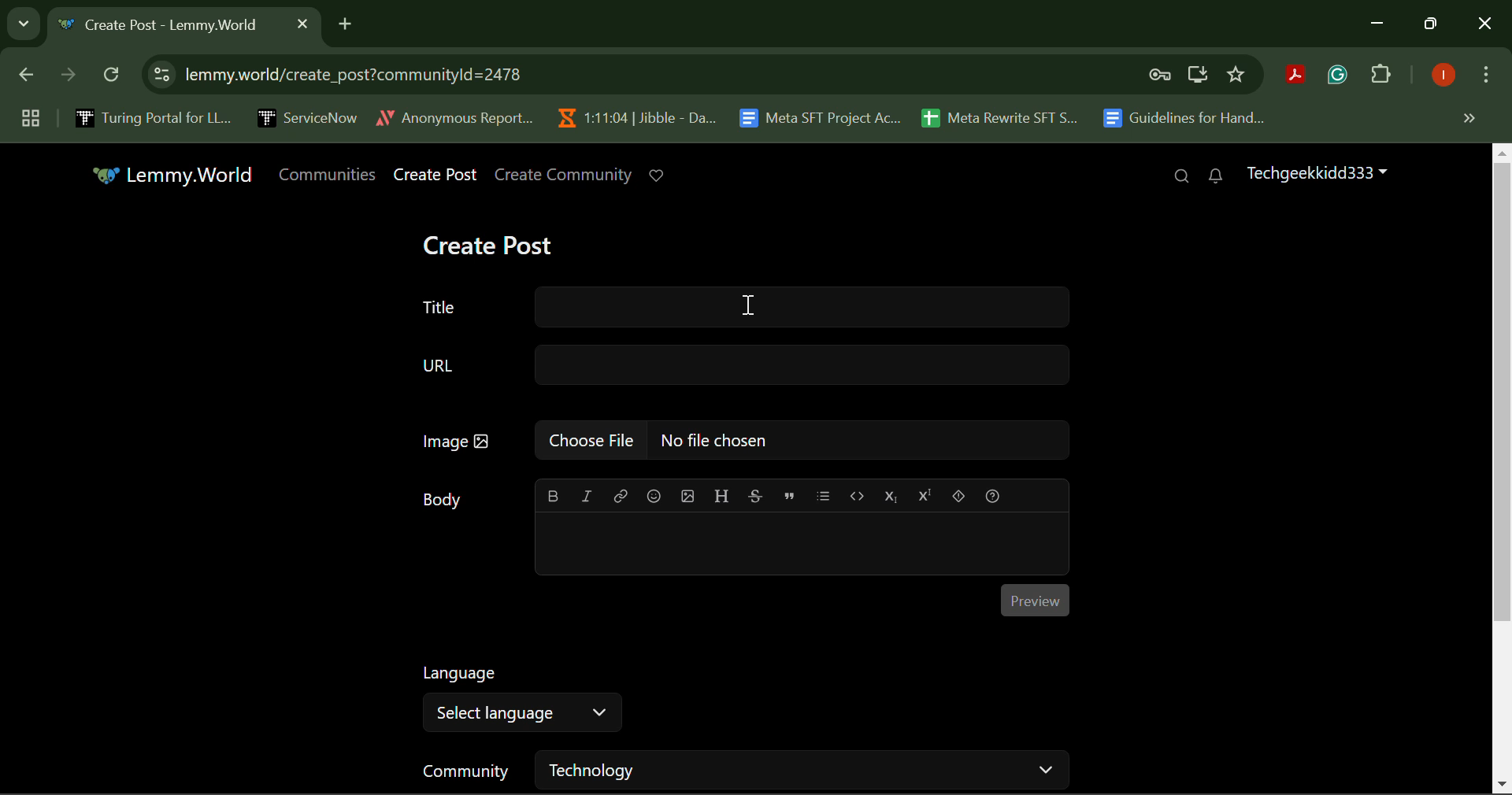  What do you see at coordinates (1181, 177) in the screenshot?
I see `Search` at bounding box center [1181, 177].